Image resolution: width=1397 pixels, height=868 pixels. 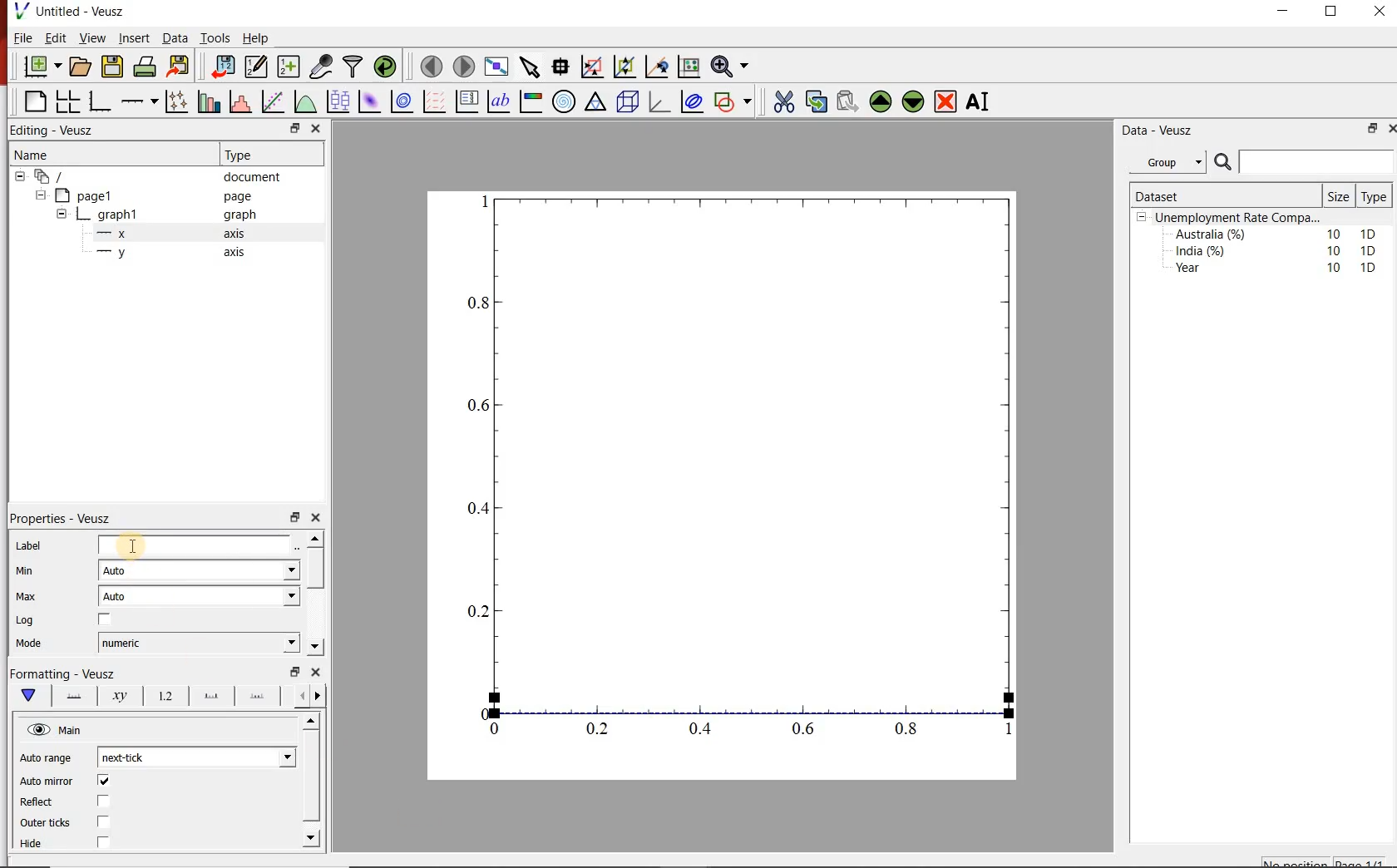 I want to click on Mode, so click(x=41, y=645).